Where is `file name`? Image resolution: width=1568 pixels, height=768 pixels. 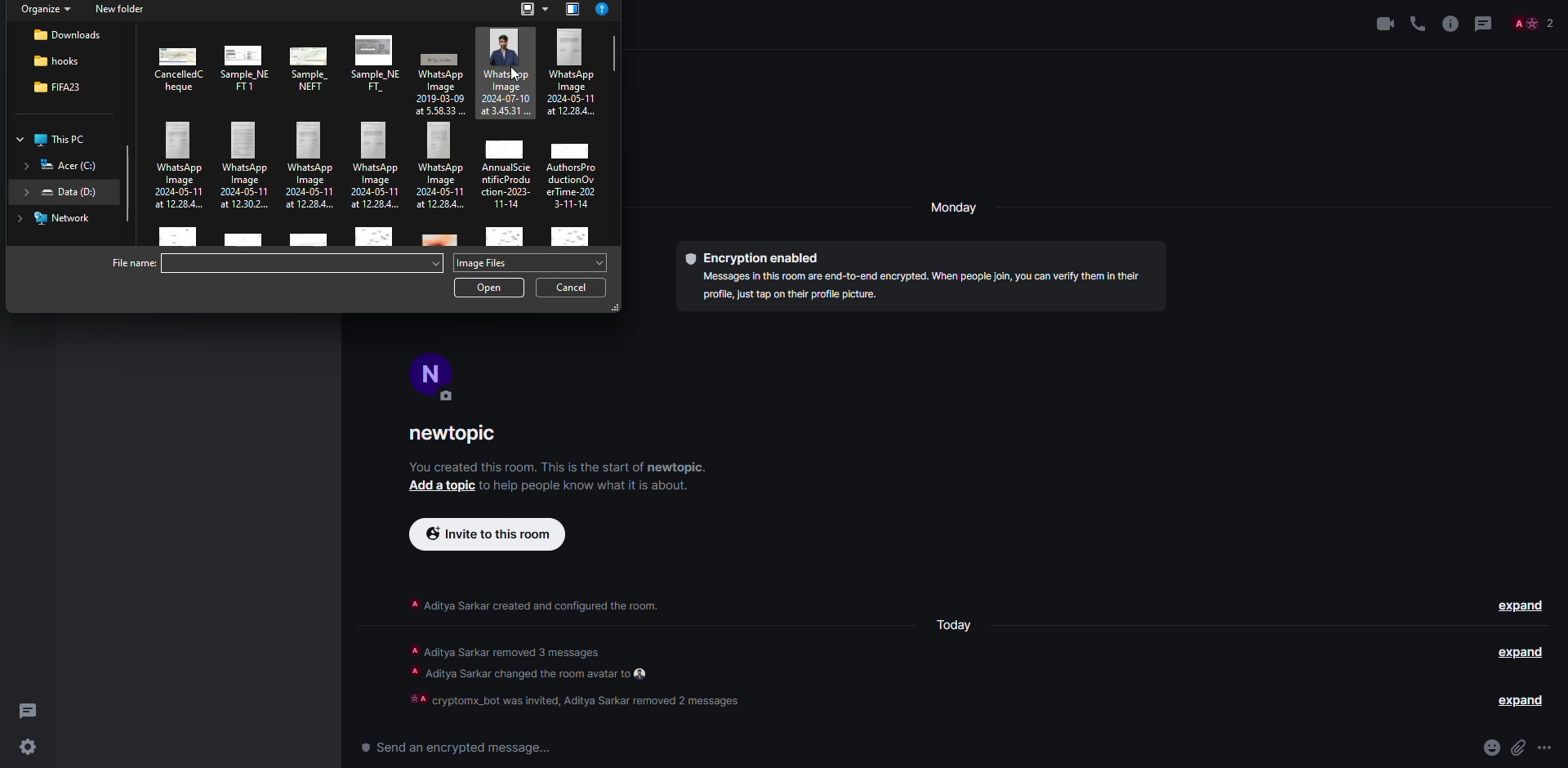
file name is located at coordinates (133, 264).